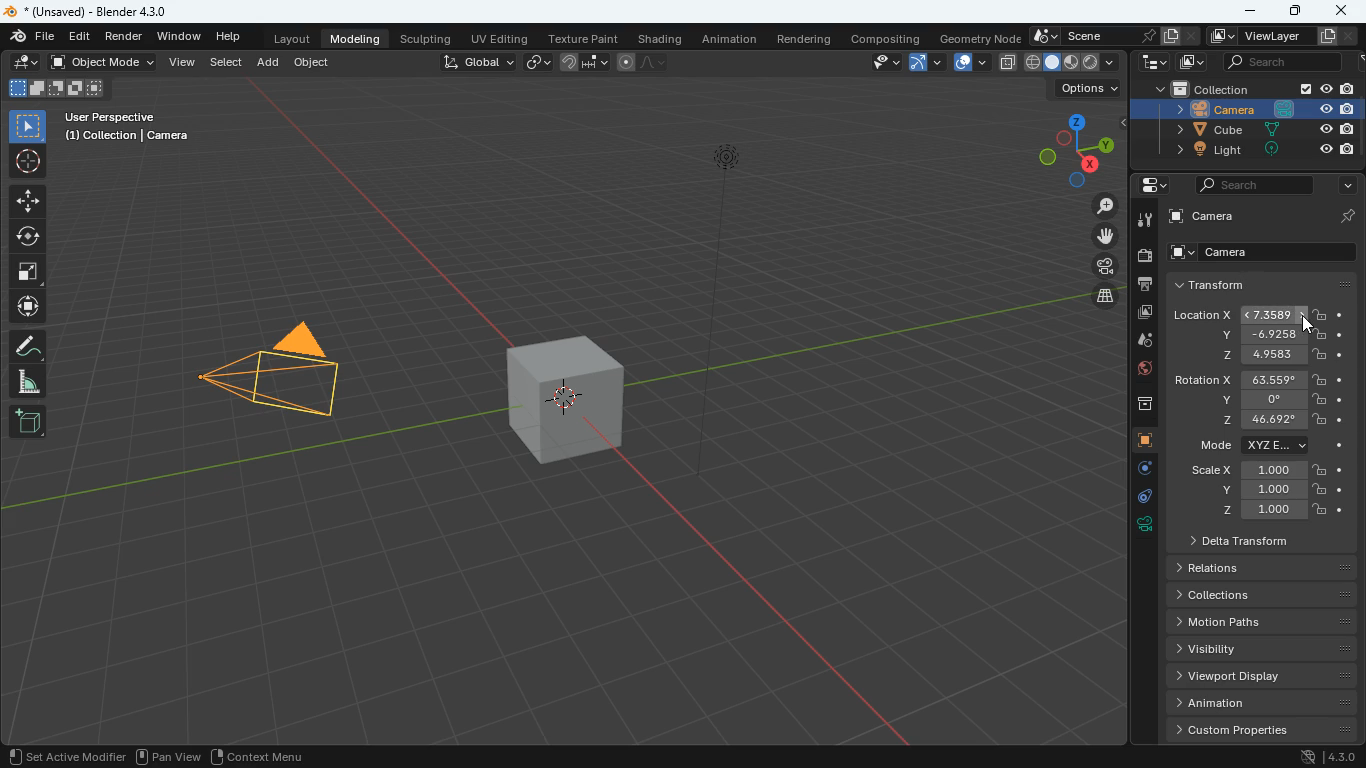 The image size is (1366, 768). Describe the element at coordinates (1141, 369) in the screenshot. I see `globe` at that location.